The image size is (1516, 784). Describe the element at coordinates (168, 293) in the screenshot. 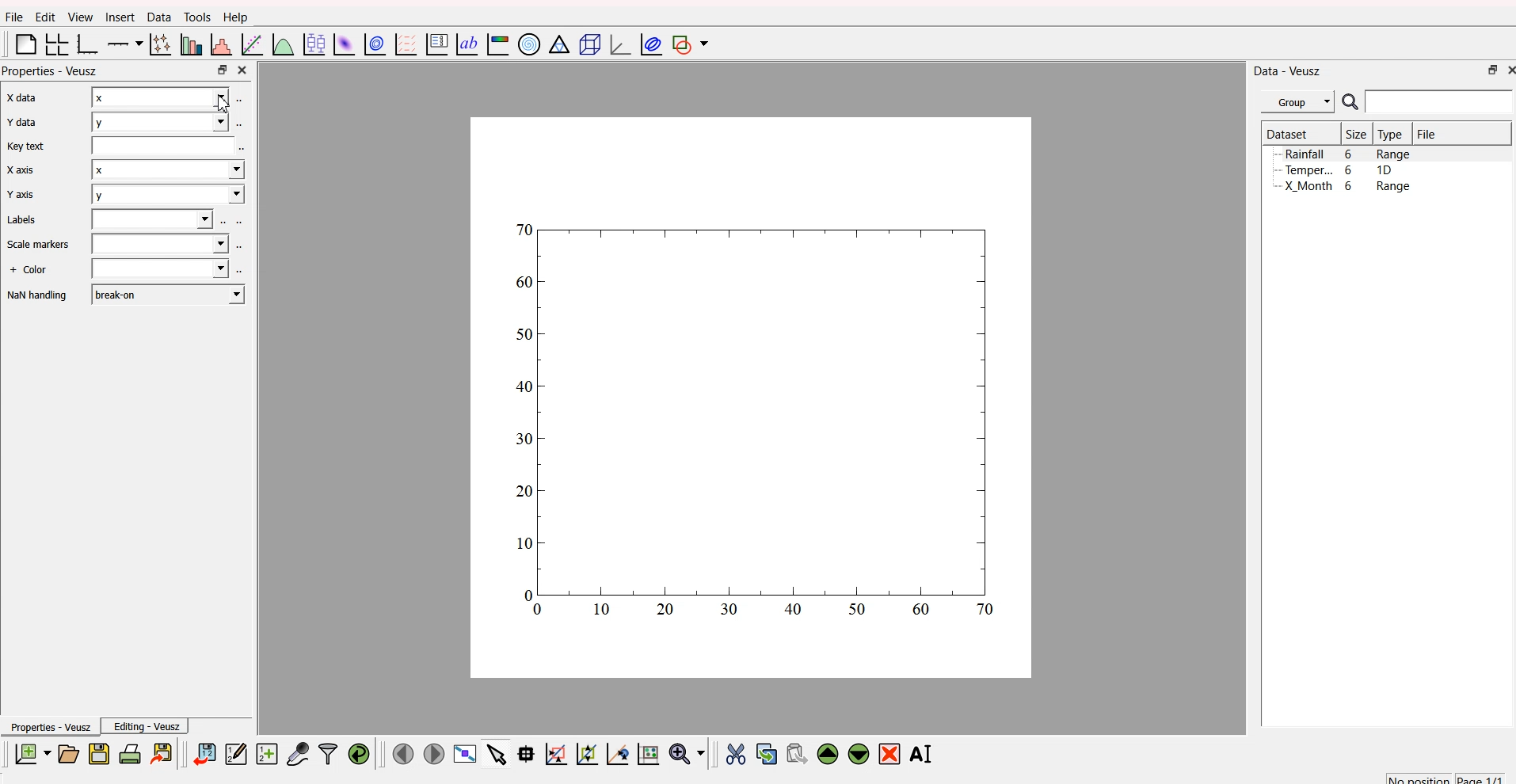

I see `break-on` at that location.